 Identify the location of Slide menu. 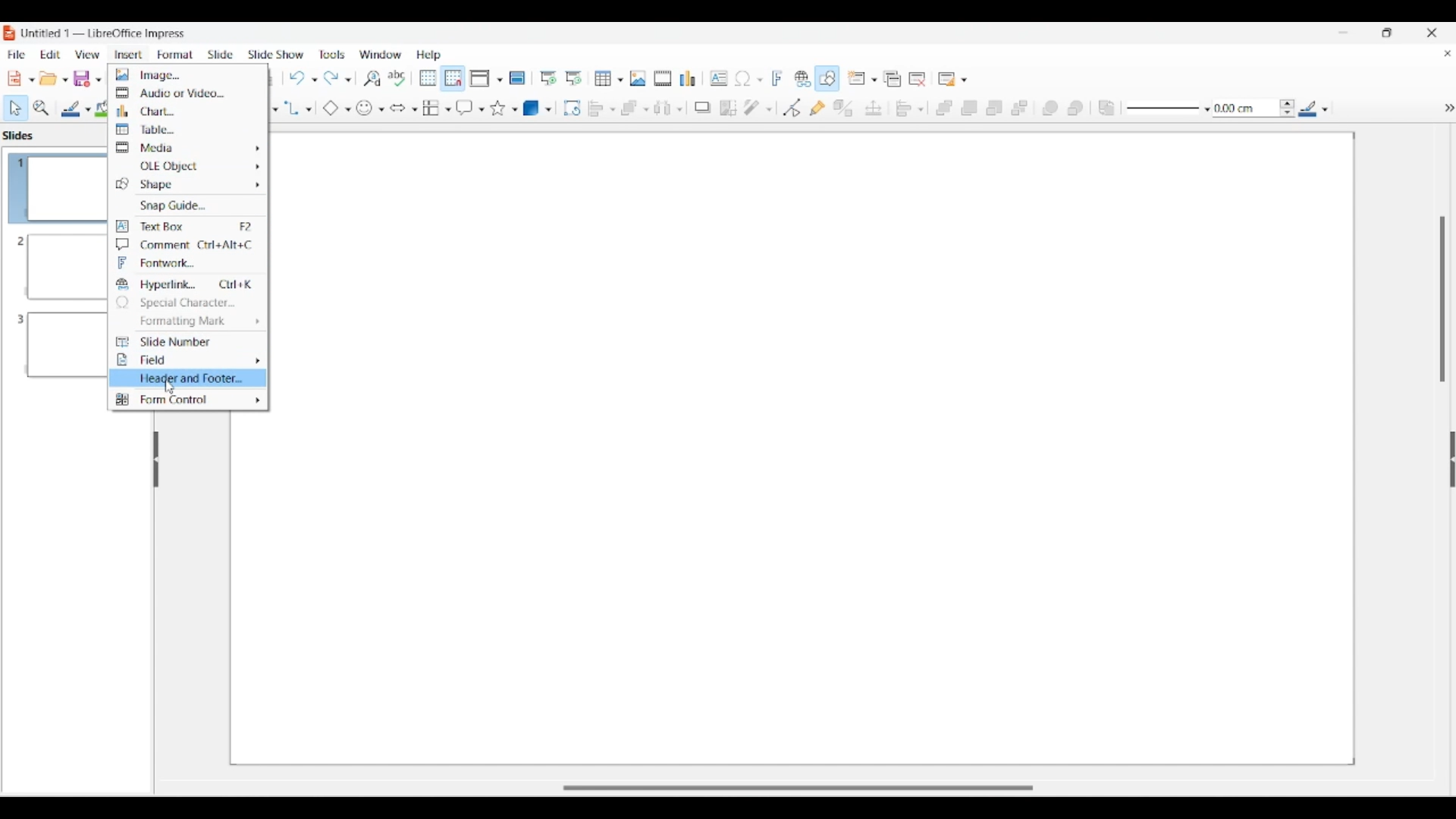
(221, 55).